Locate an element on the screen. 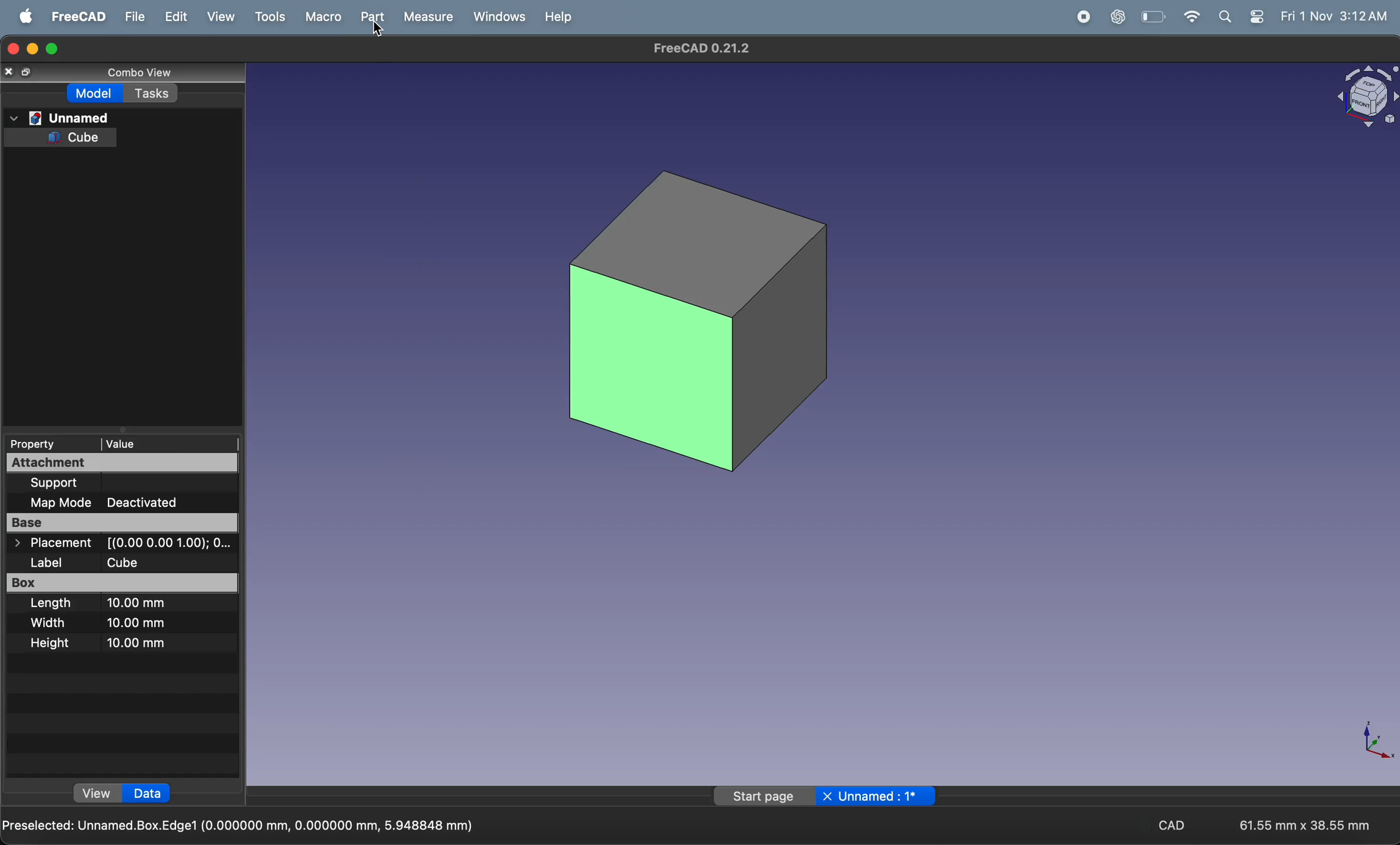 This screenshot has width=1400, height=845. freecad is located at coordinates (77, 16).